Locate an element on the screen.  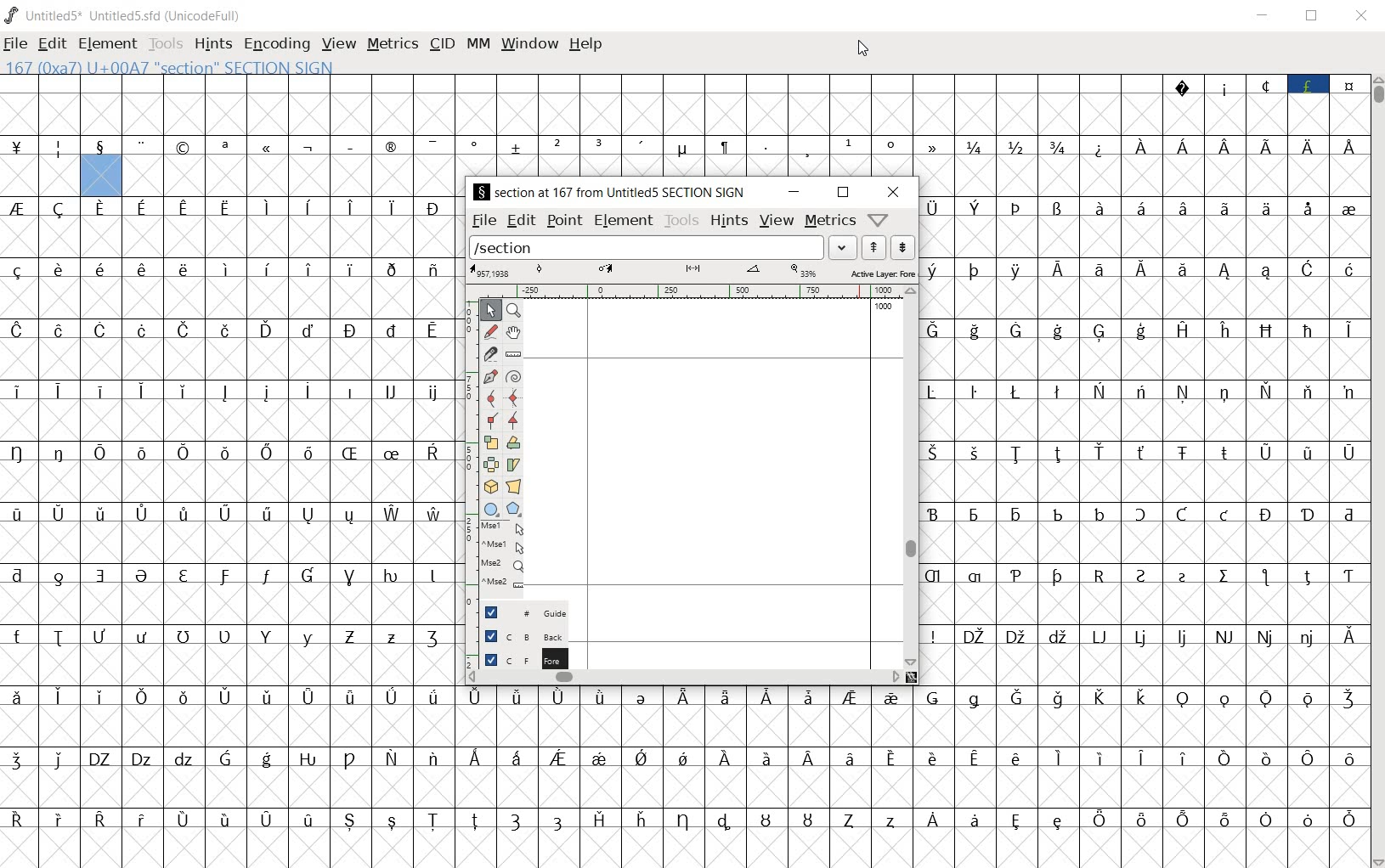
rotate the selection in 3D and project back to plane is located at coordinates (490, 488).